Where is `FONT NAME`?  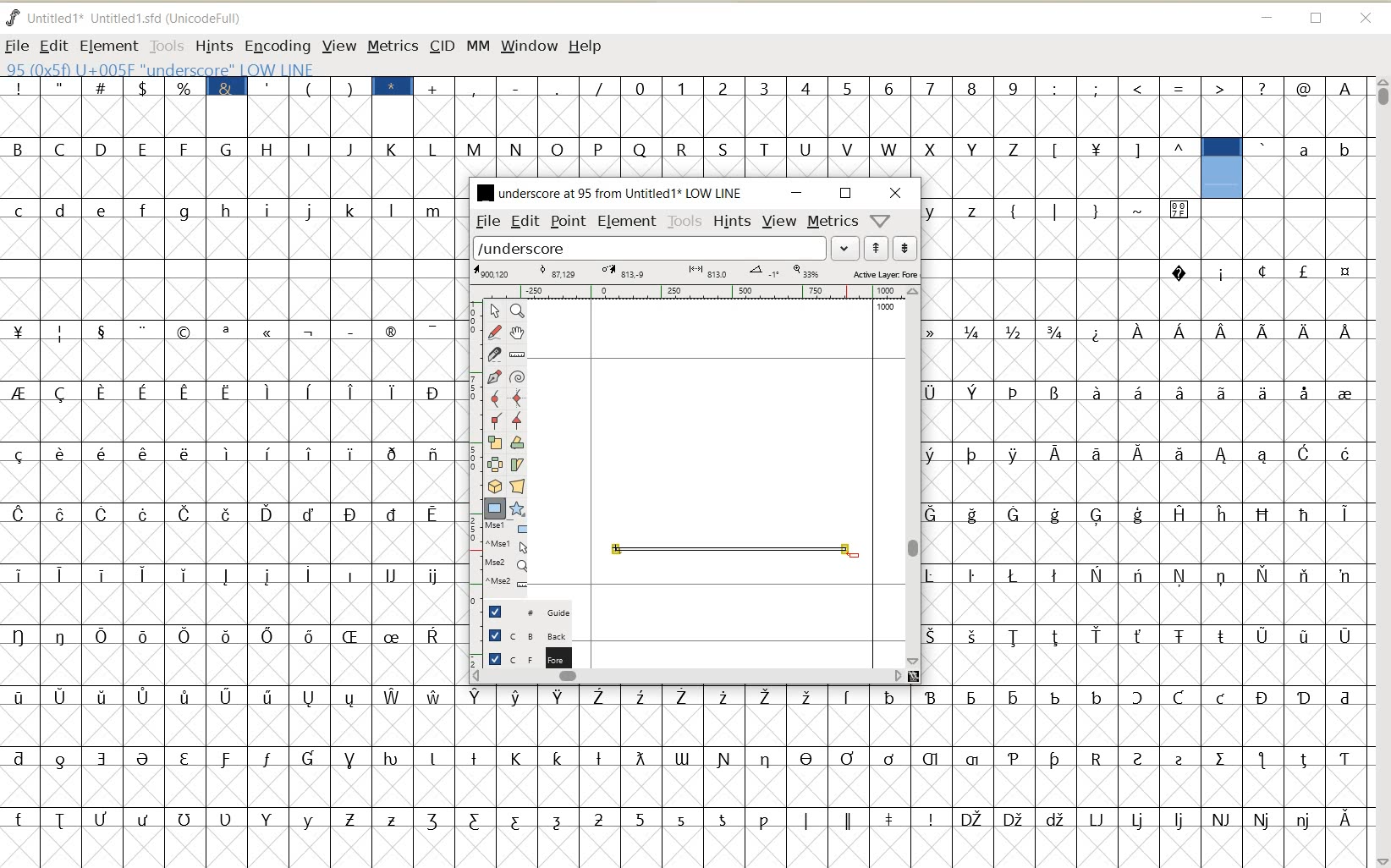
FONT NAME is located at coordinates (608, 192).